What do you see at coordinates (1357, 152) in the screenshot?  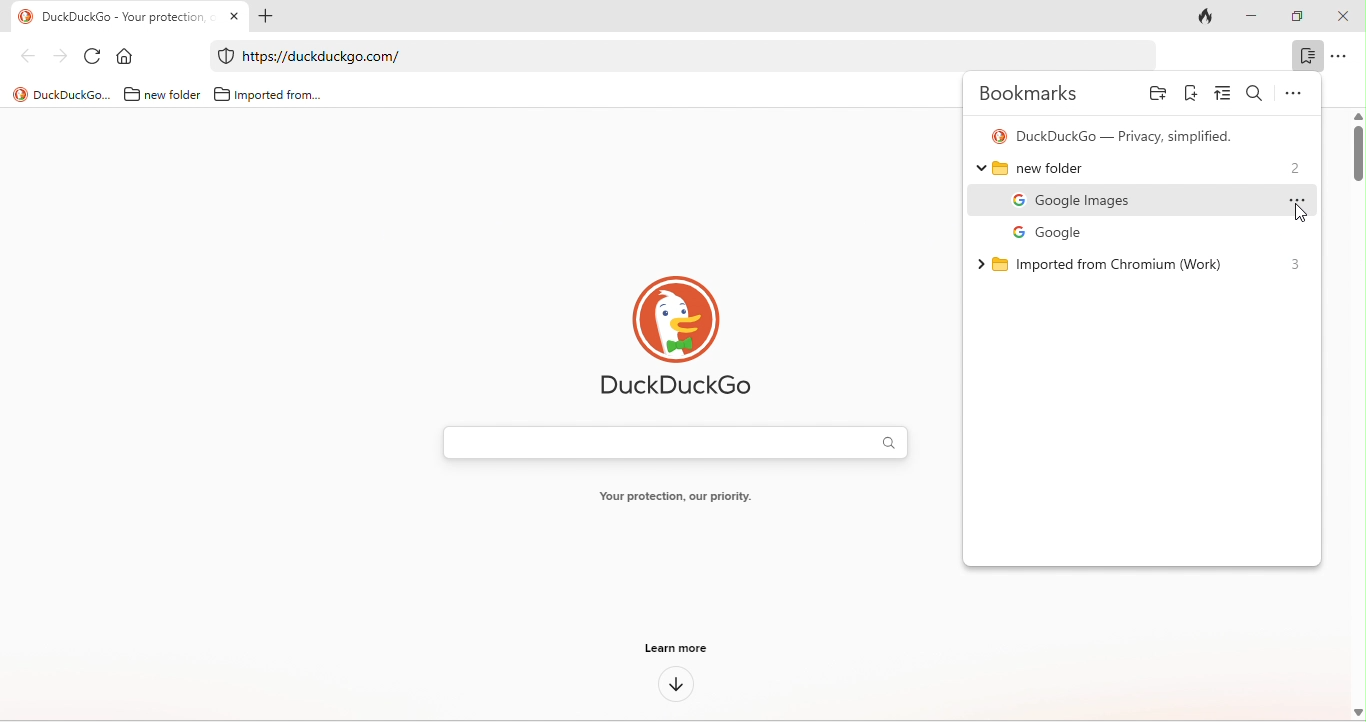 I see `vertical scroll bar` at bounding box center [1357, 152].